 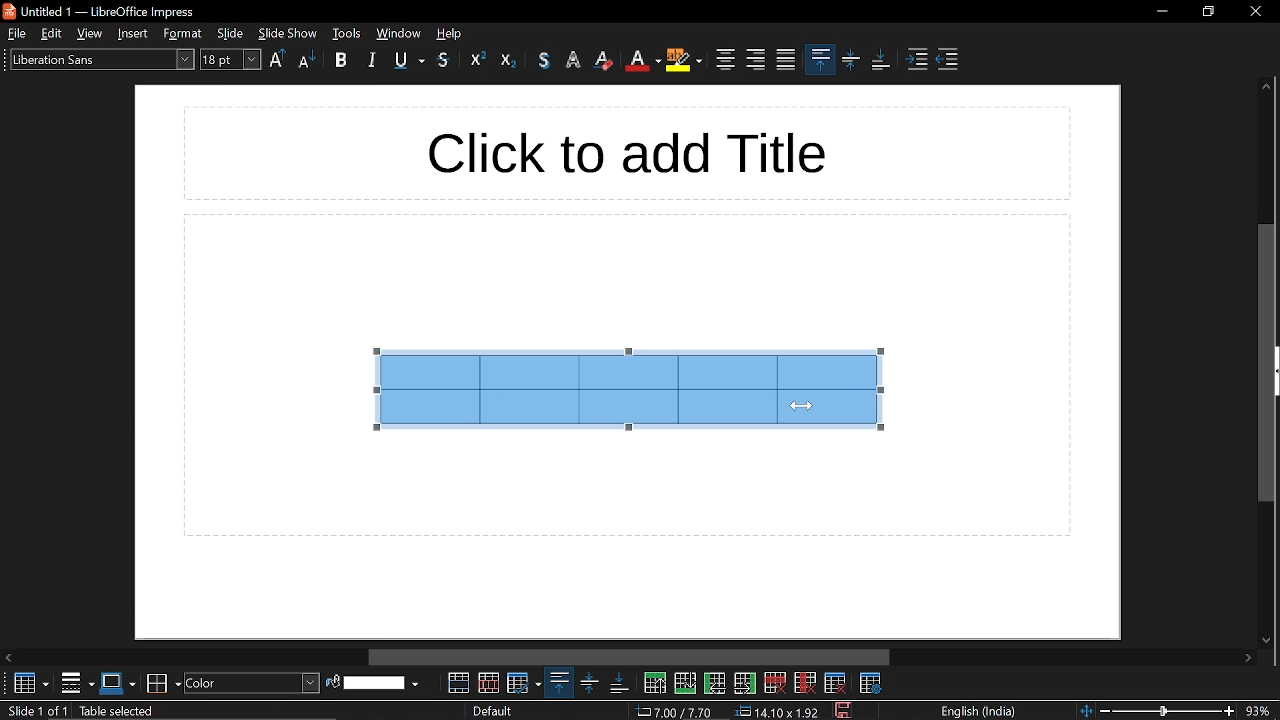 I want to click on delete column, so click(x=803, y=682).